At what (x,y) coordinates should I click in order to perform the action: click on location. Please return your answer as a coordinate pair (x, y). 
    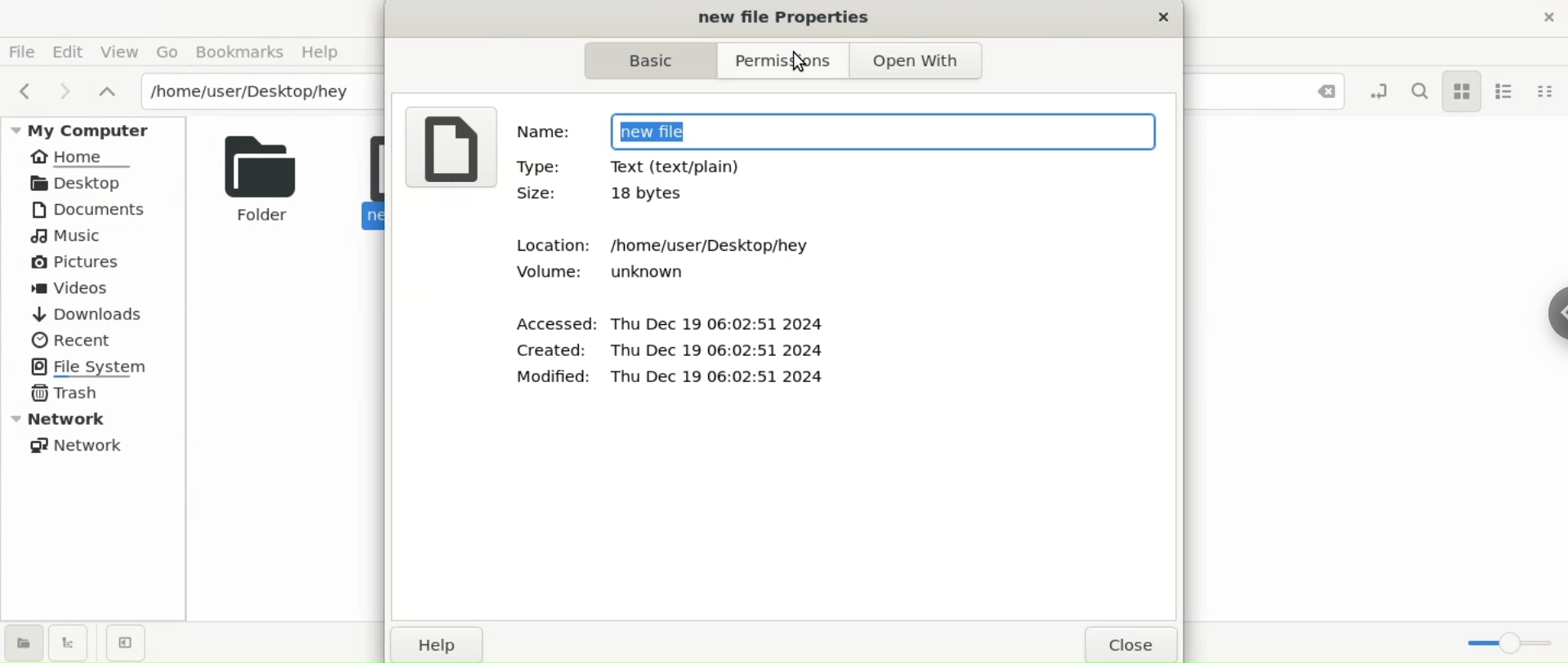
    Looking at the image, I should click on (260, 91).